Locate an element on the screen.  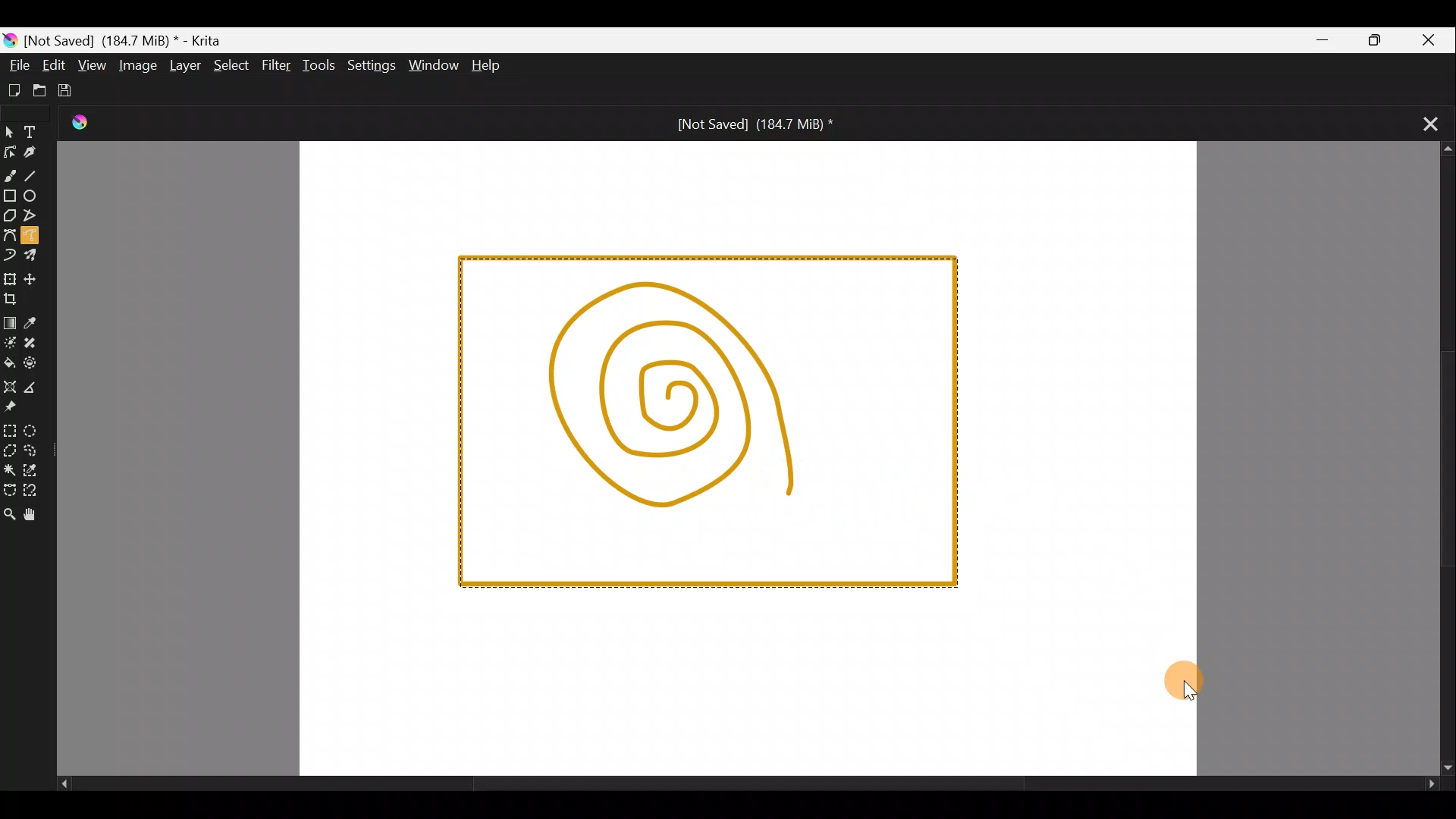
Edit is located at coordinates (47, 64).